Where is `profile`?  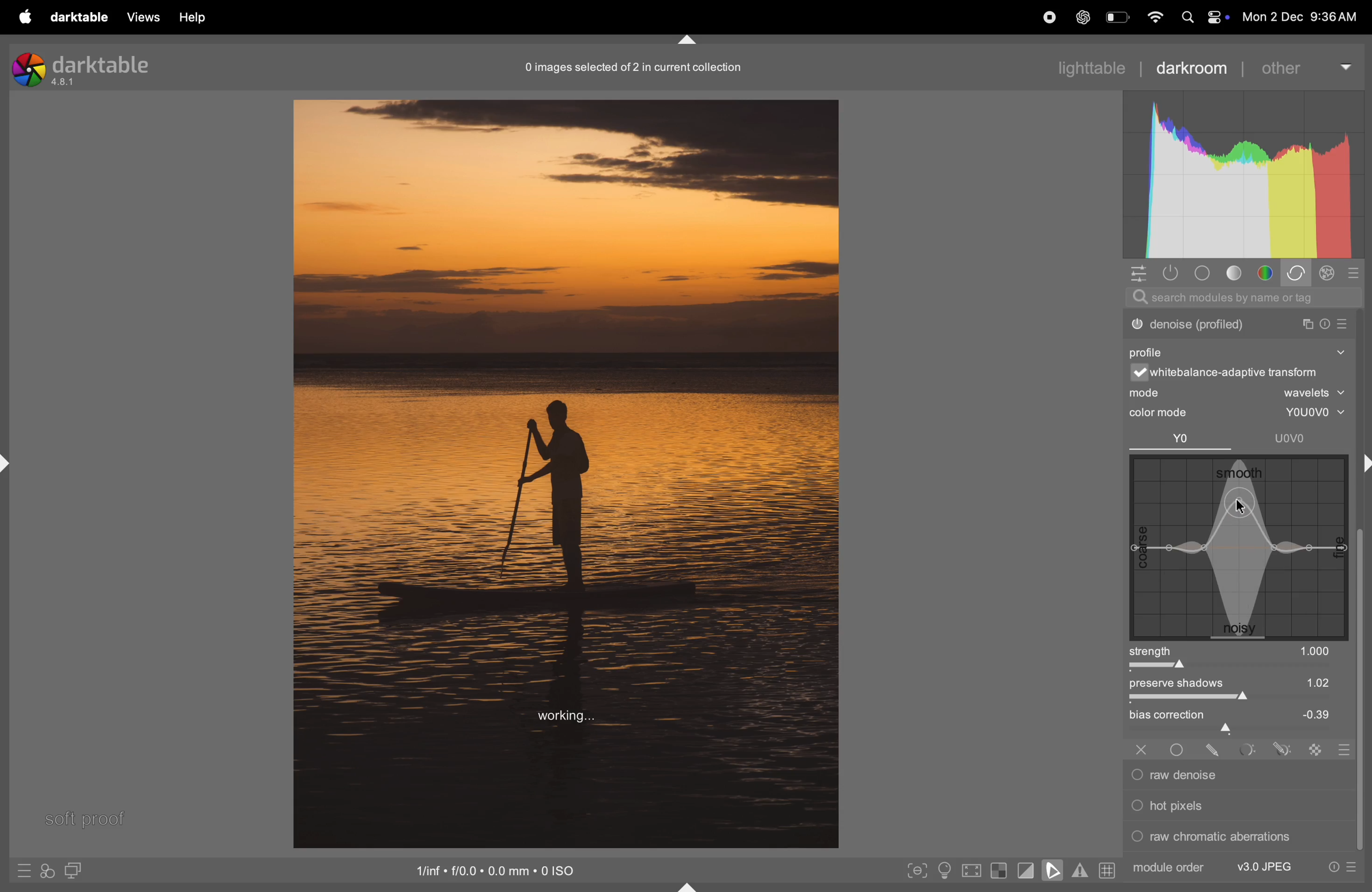
profile is located at coordinates (1152, 350).